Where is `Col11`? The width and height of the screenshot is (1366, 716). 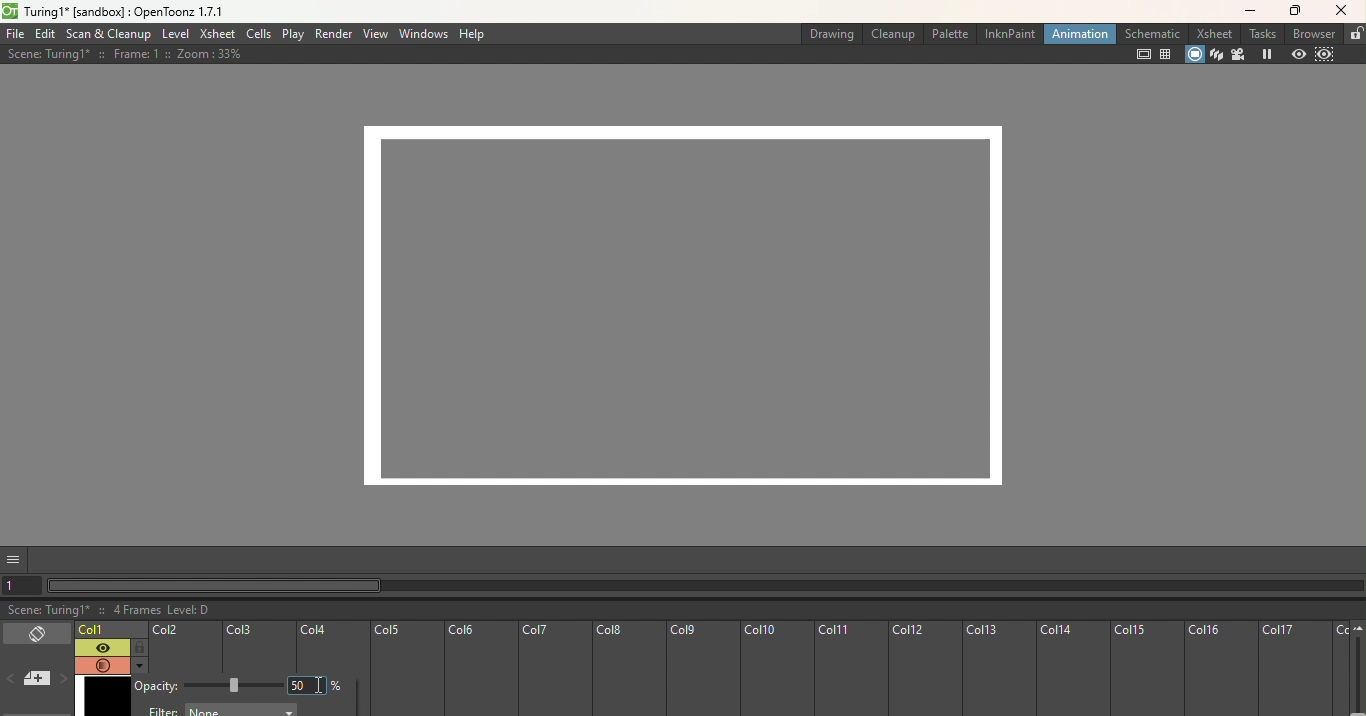
Col11 is located at coordinates (851, 670).